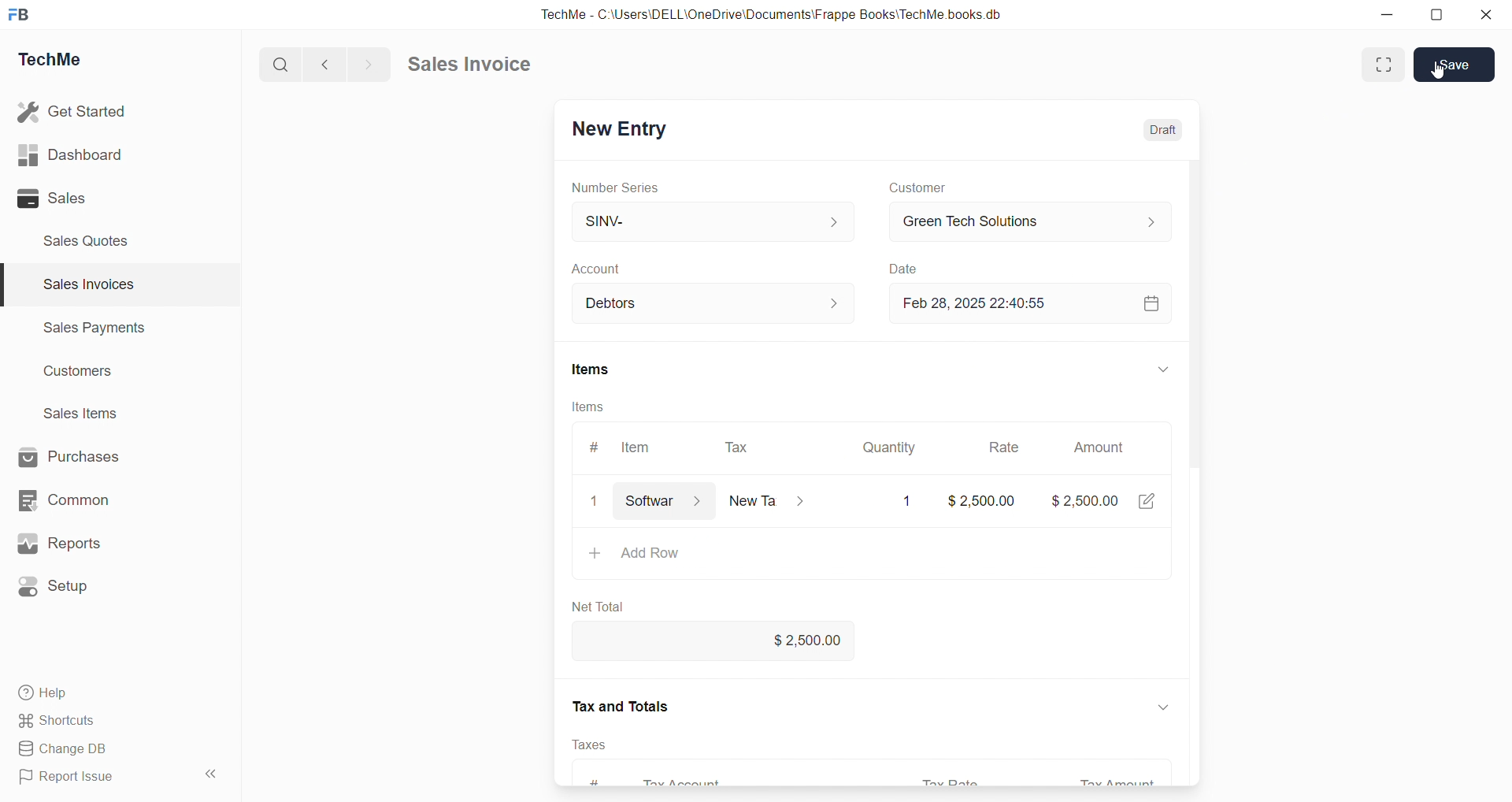 The width and height of the screenshot is (1512, 802). Describe the element at coordinates (622, 706) in the screenshot. I see `Tax and Totals` at that location.